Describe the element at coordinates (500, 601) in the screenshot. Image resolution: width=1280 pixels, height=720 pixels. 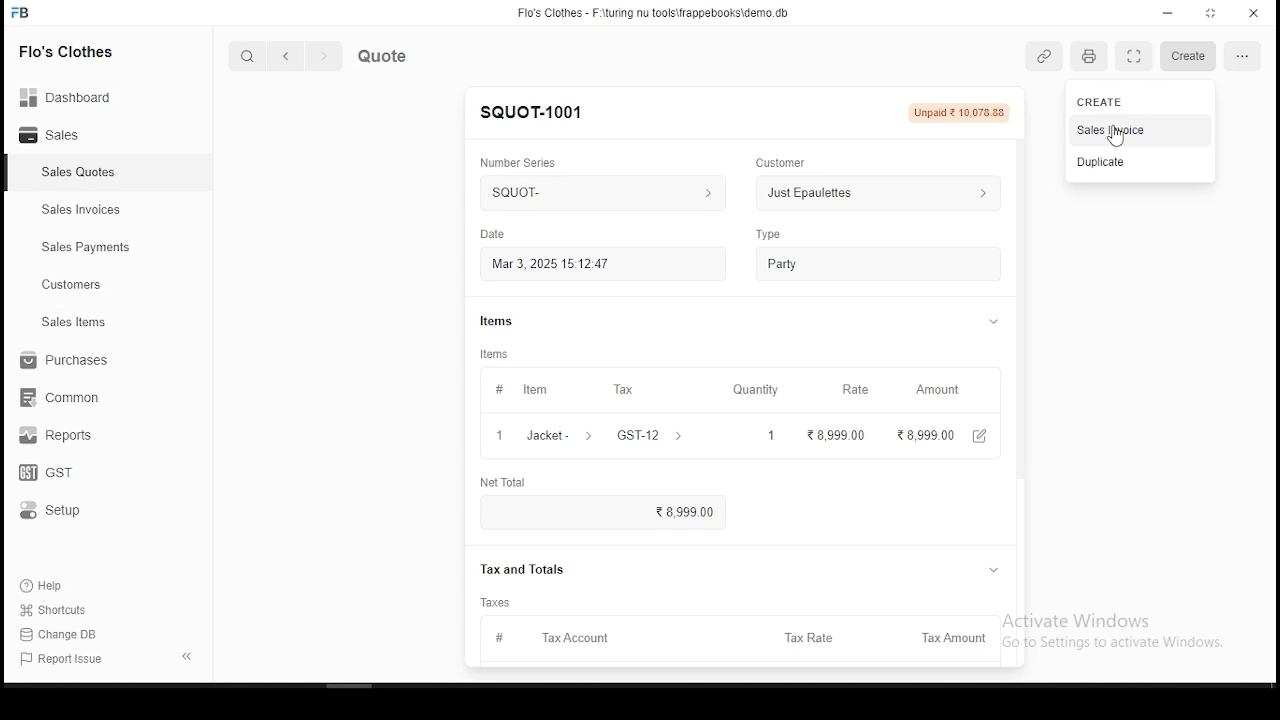
I see `taxes` at that location.